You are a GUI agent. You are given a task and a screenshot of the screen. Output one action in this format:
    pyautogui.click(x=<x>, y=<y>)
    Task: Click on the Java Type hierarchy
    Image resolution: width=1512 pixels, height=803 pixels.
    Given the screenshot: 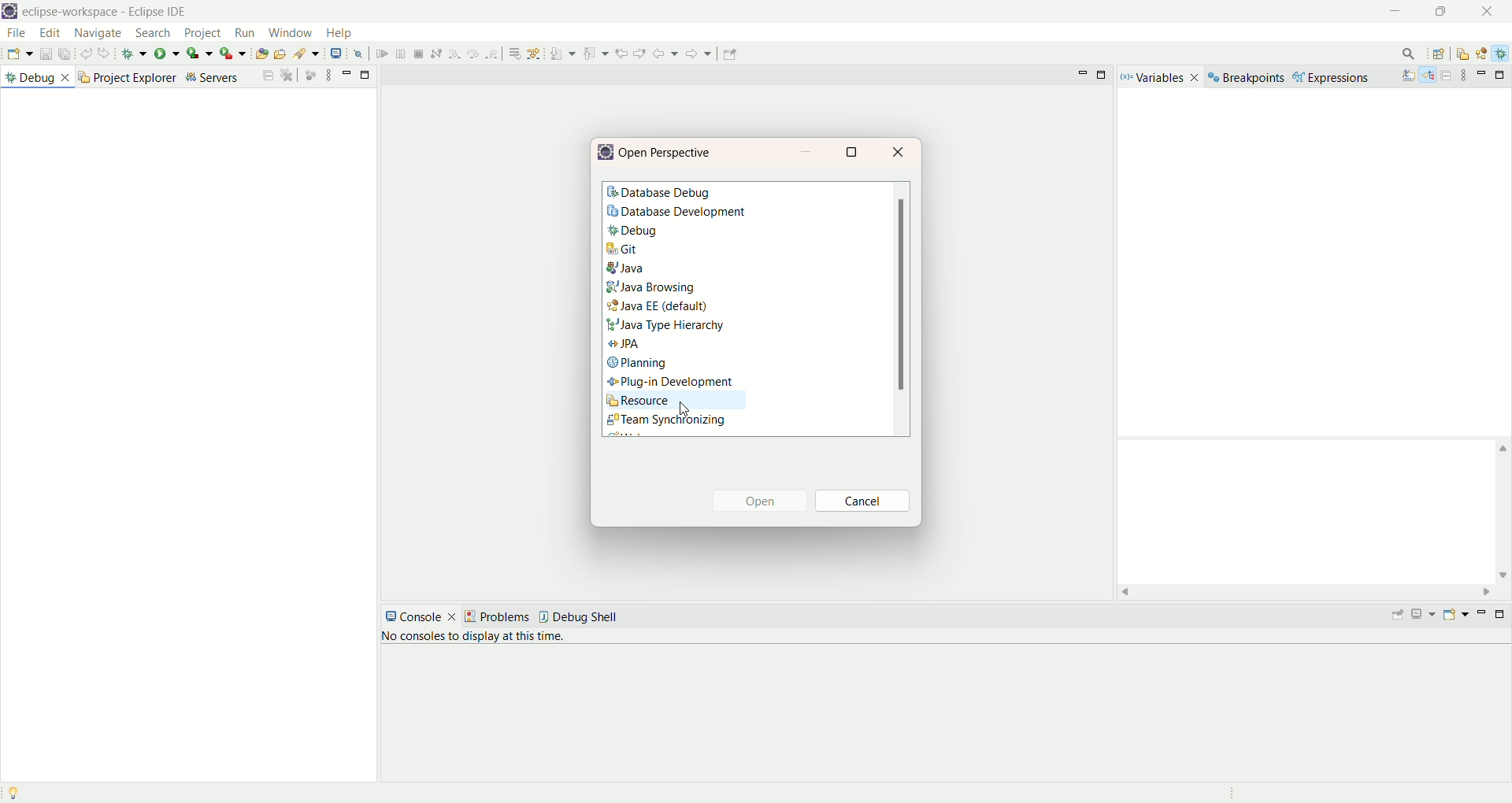 What is the action you would take?
    pyautogui.click(x=665, y=327)
    